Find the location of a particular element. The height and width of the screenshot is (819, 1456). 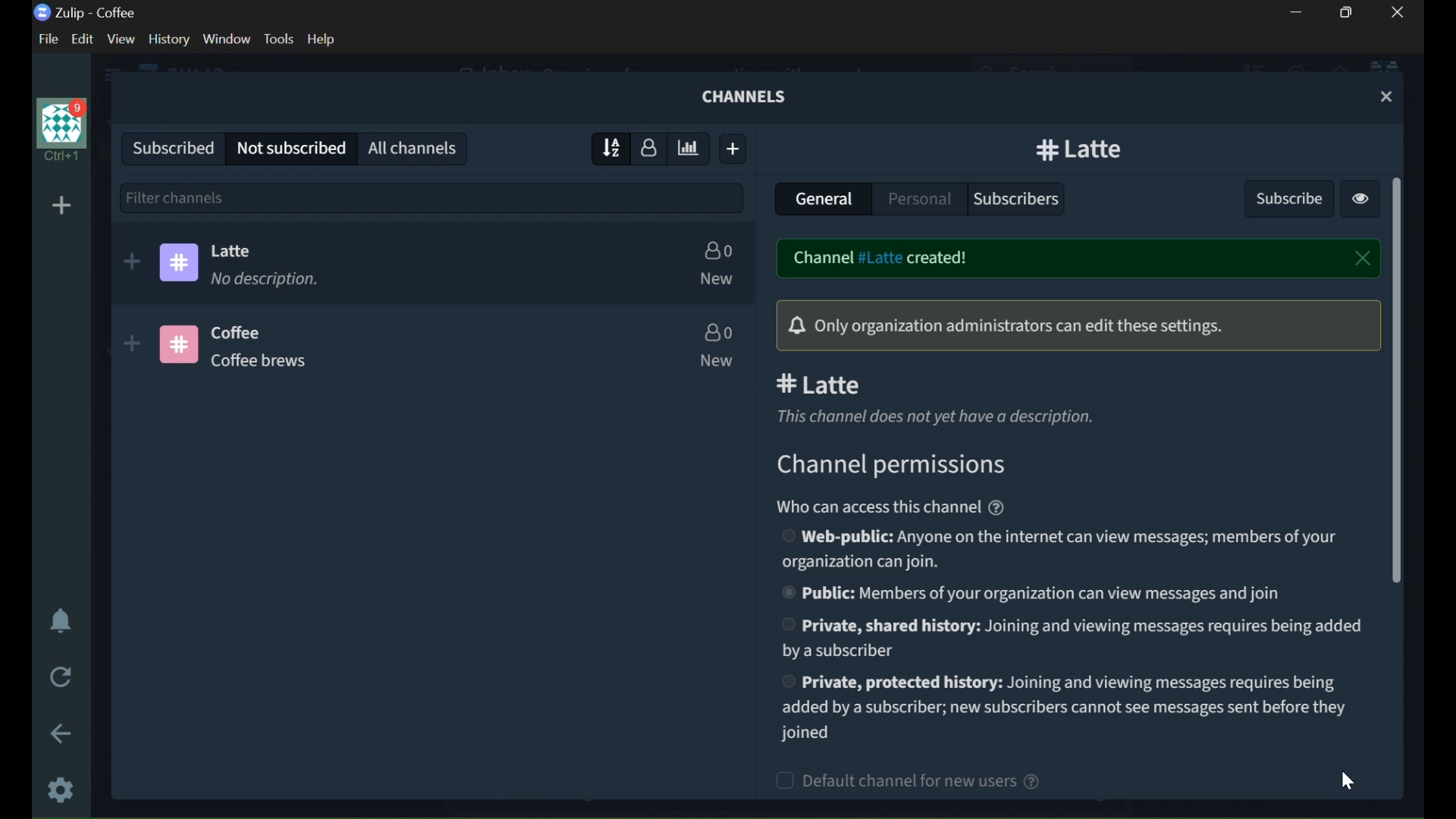

CLOSE is located at coordinates (1388, 97).